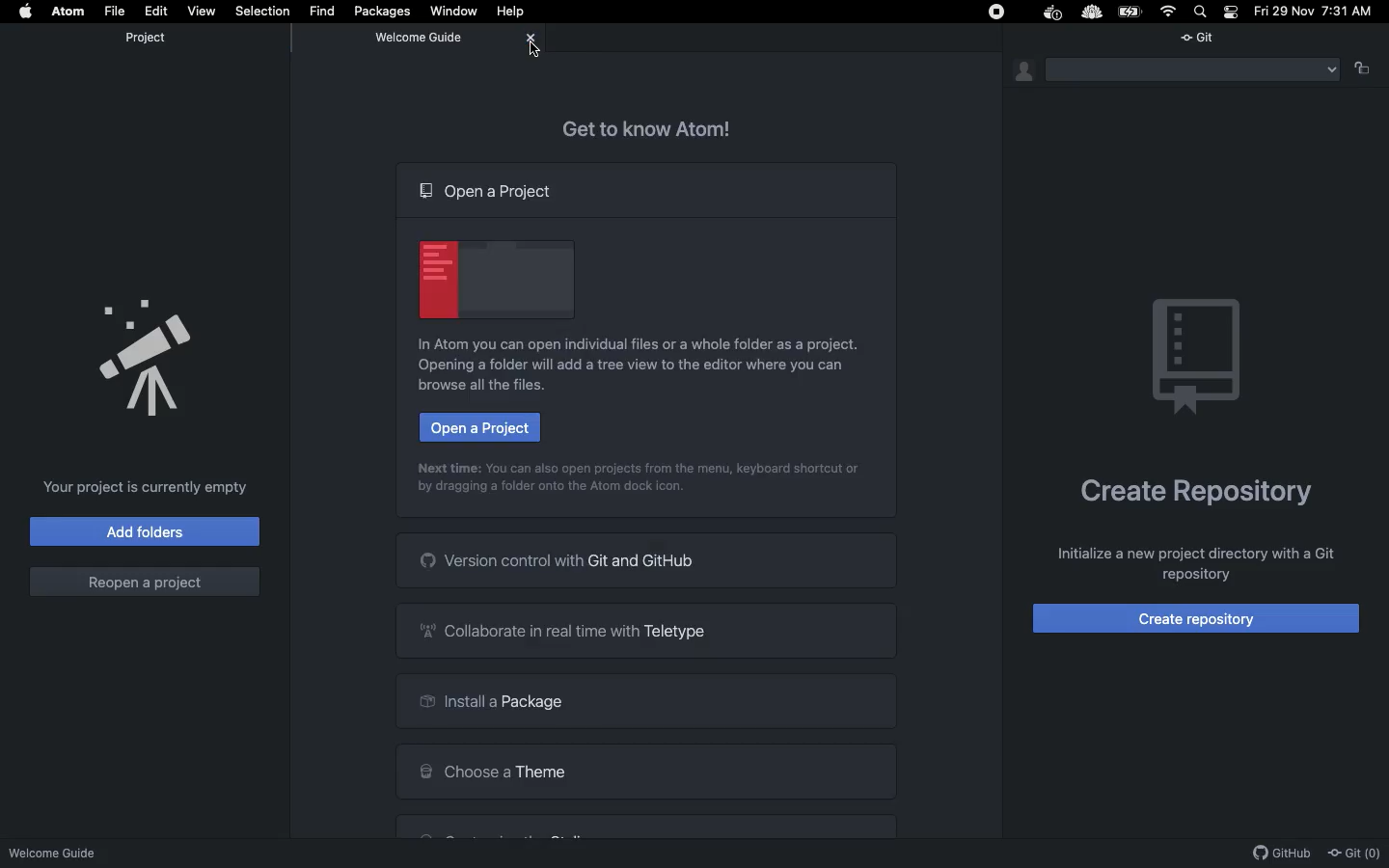 Image resolution: width=1389 pixels, height=868 pixels. Describe the element at coordinates (996, 12) in the screenshot. I see `stop` at that location.